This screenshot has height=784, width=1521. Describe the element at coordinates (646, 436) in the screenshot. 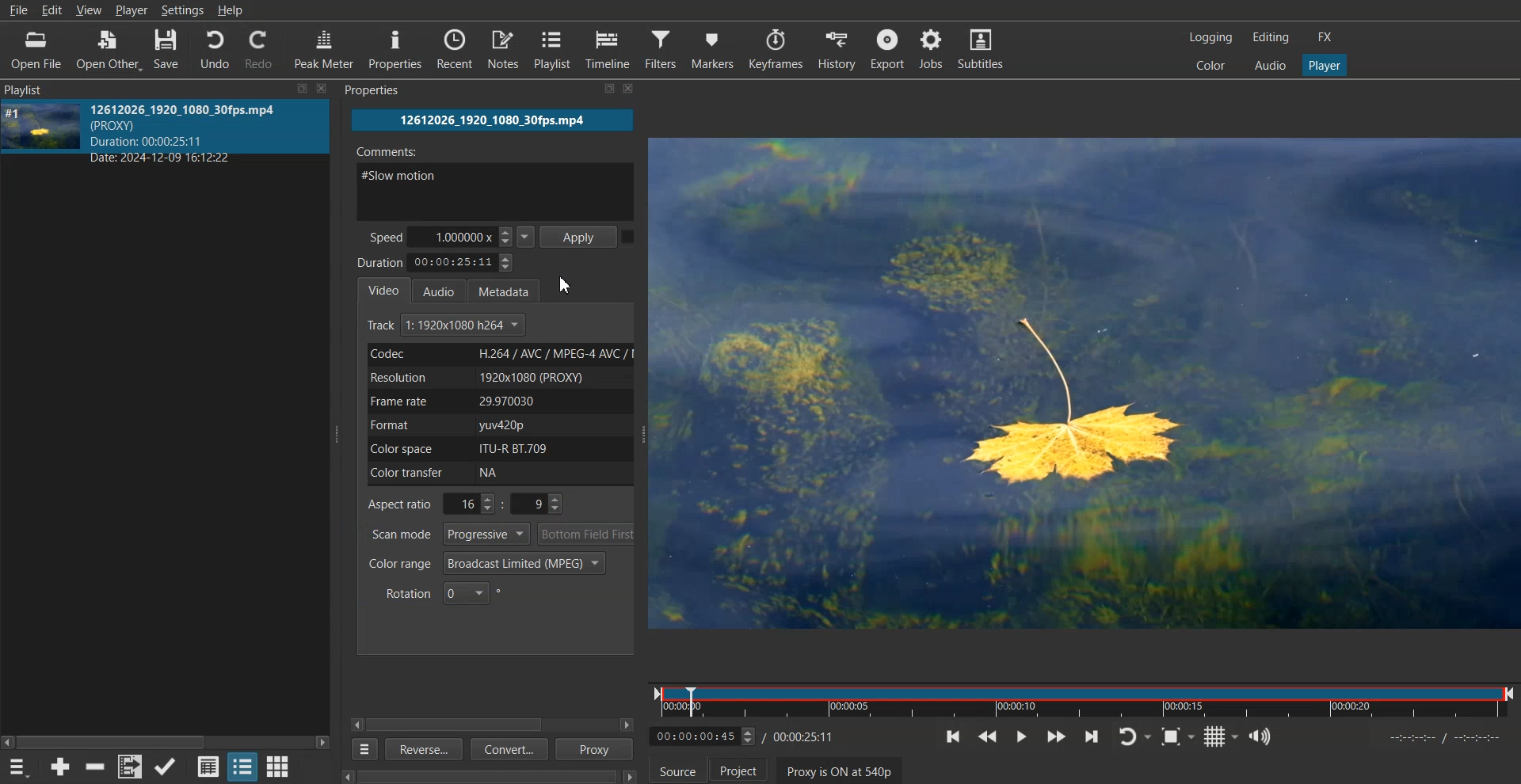

I see `Drag handle` at that location.